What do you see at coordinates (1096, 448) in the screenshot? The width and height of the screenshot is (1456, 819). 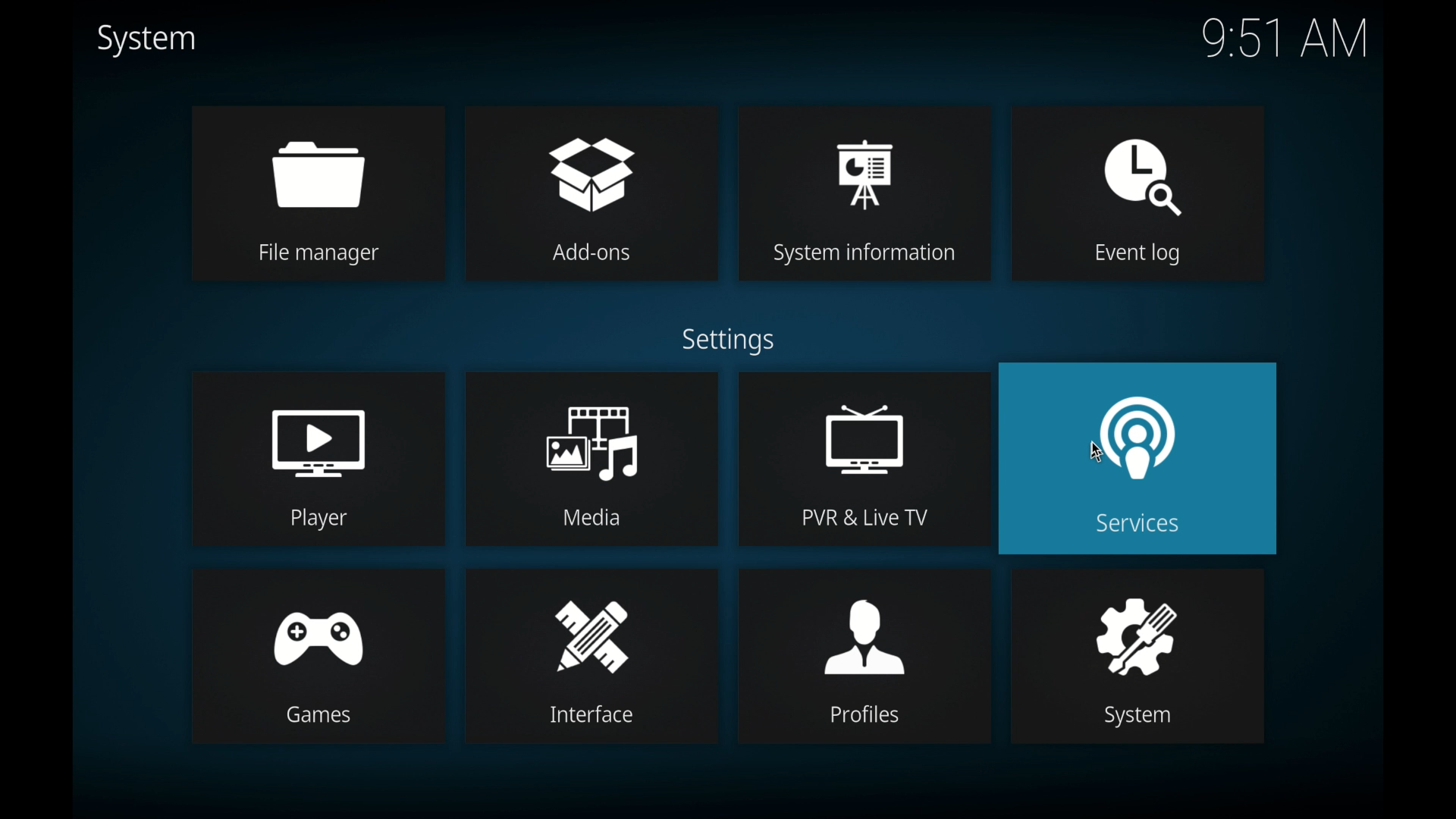 I see `Cursor` at bounding box center [1096, 448].